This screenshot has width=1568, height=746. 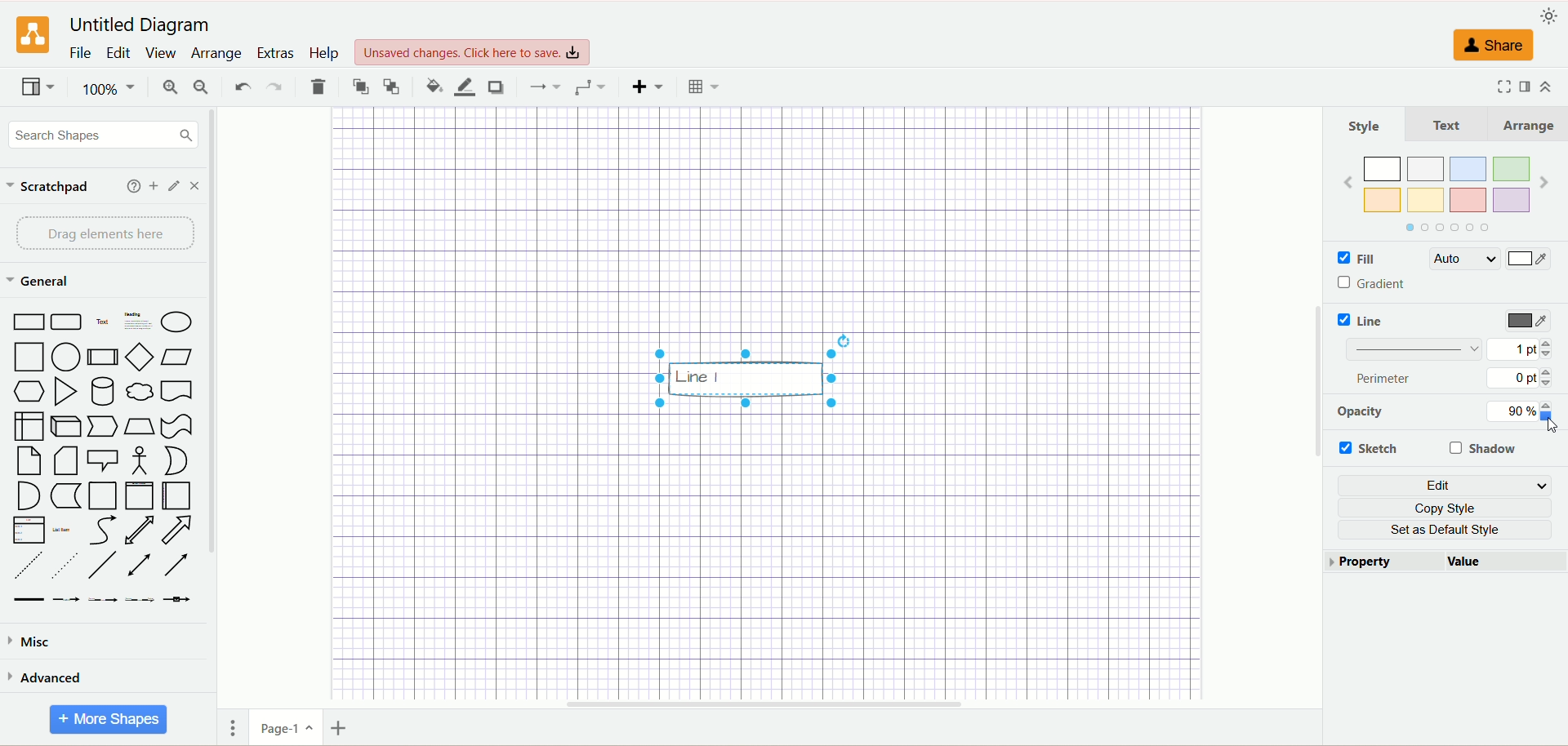 I want to click on add, so click(x=153, y=186).